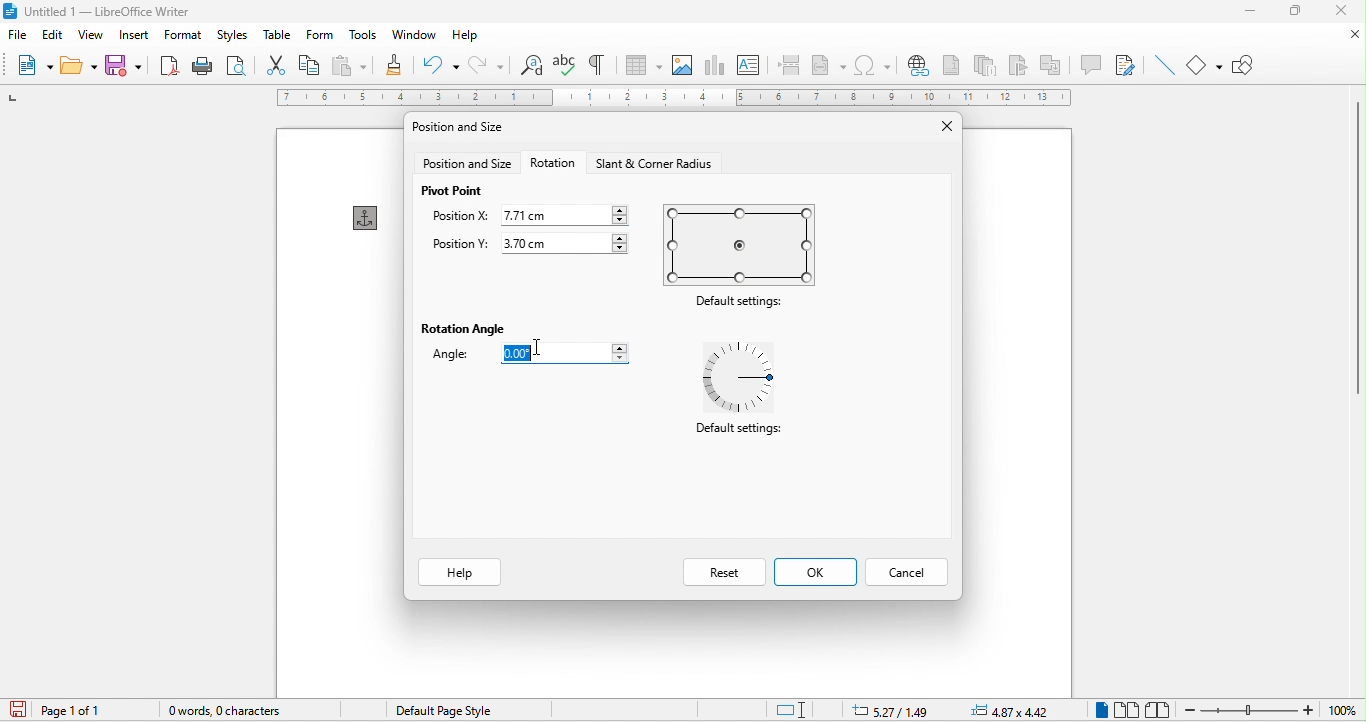  Describe the element at coordinates (467, 163) in the screenshot. I see `position and size` at that location.